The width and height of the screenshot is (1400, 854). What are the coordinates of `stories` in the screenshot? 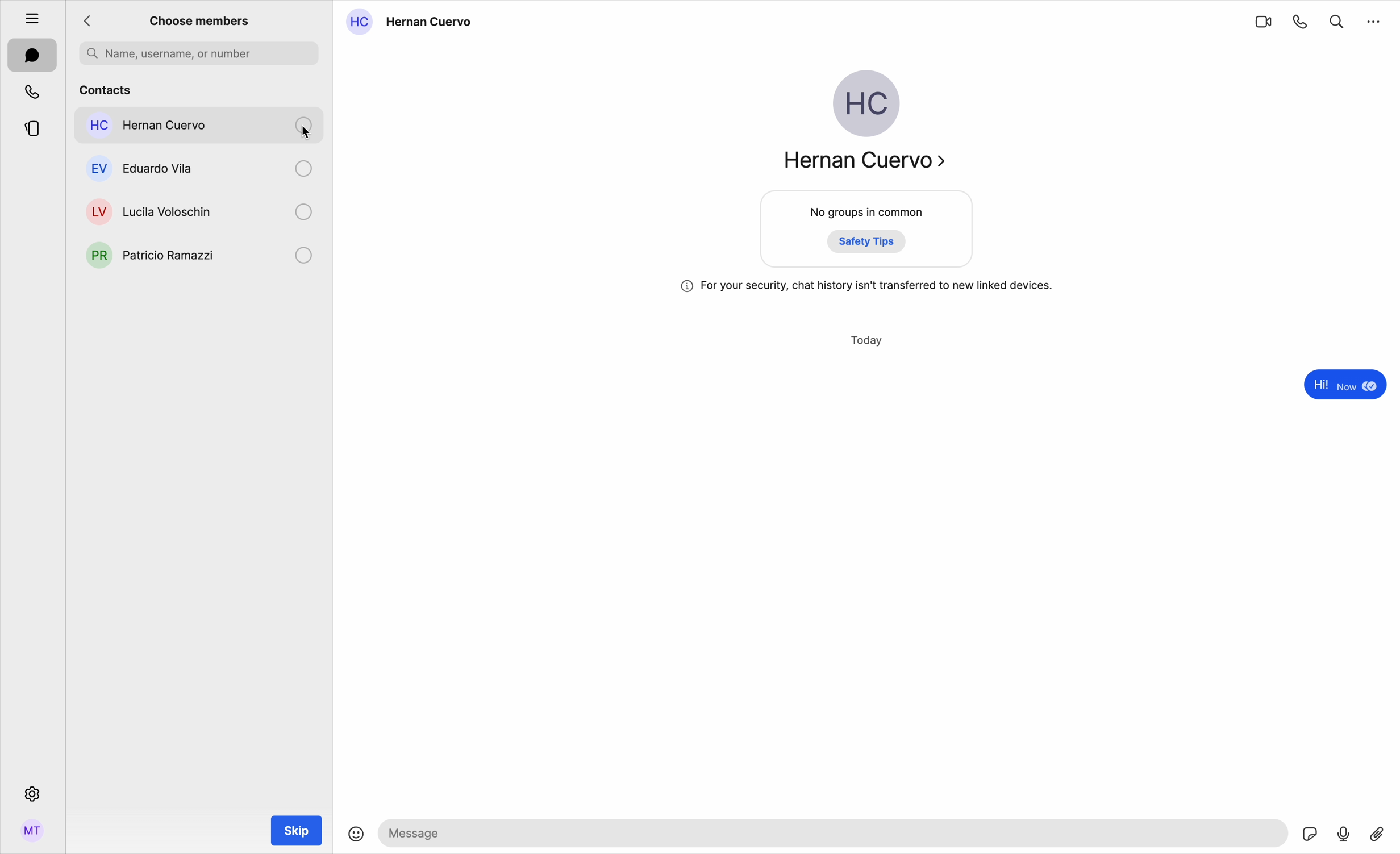 It's located at (32, 127).